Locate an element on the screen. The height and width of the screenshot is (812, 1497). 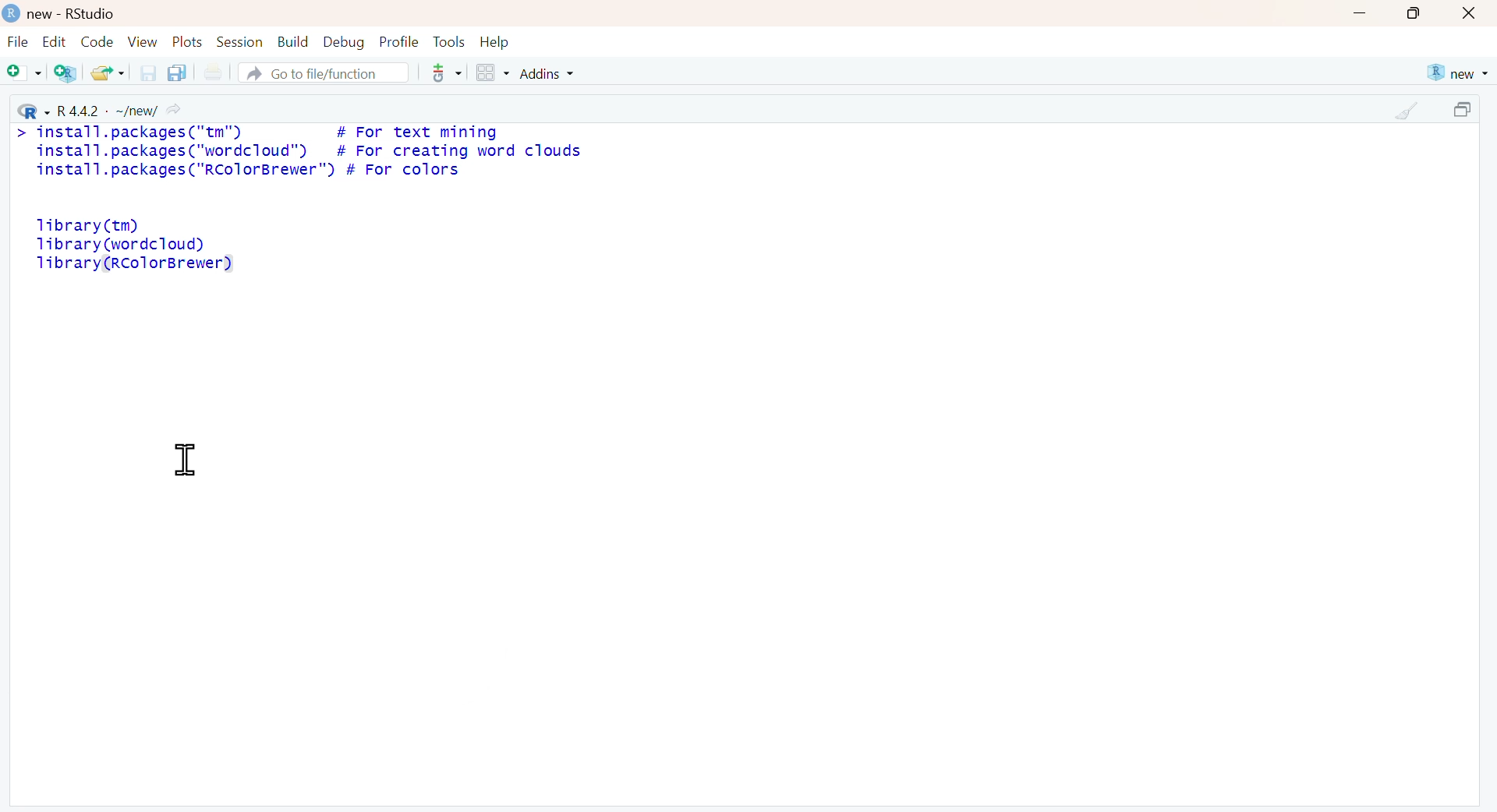
maximize is located at coordinates (1467, 110).